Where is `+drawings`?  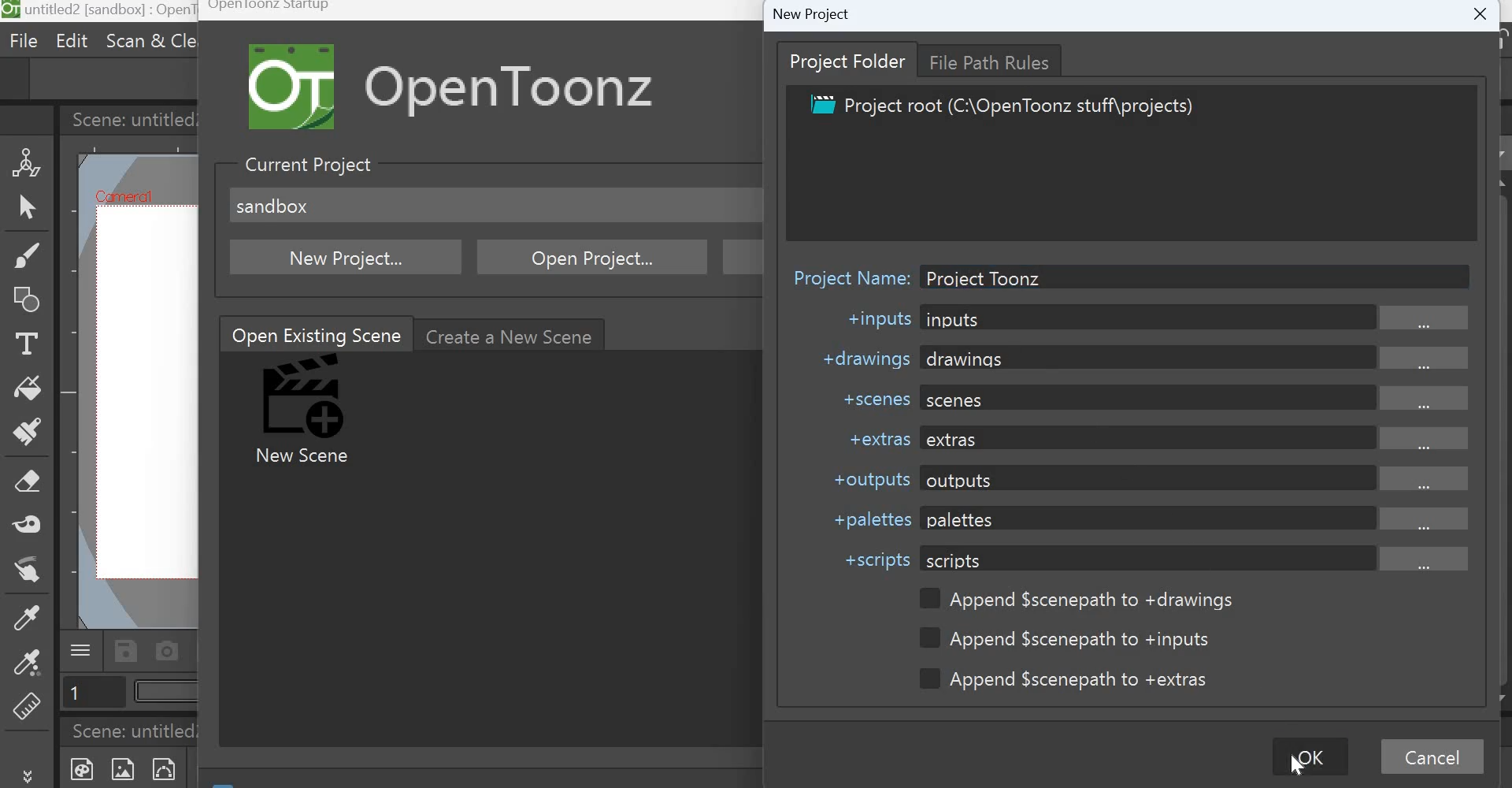
+drawings is located at coordinates (862, 358).